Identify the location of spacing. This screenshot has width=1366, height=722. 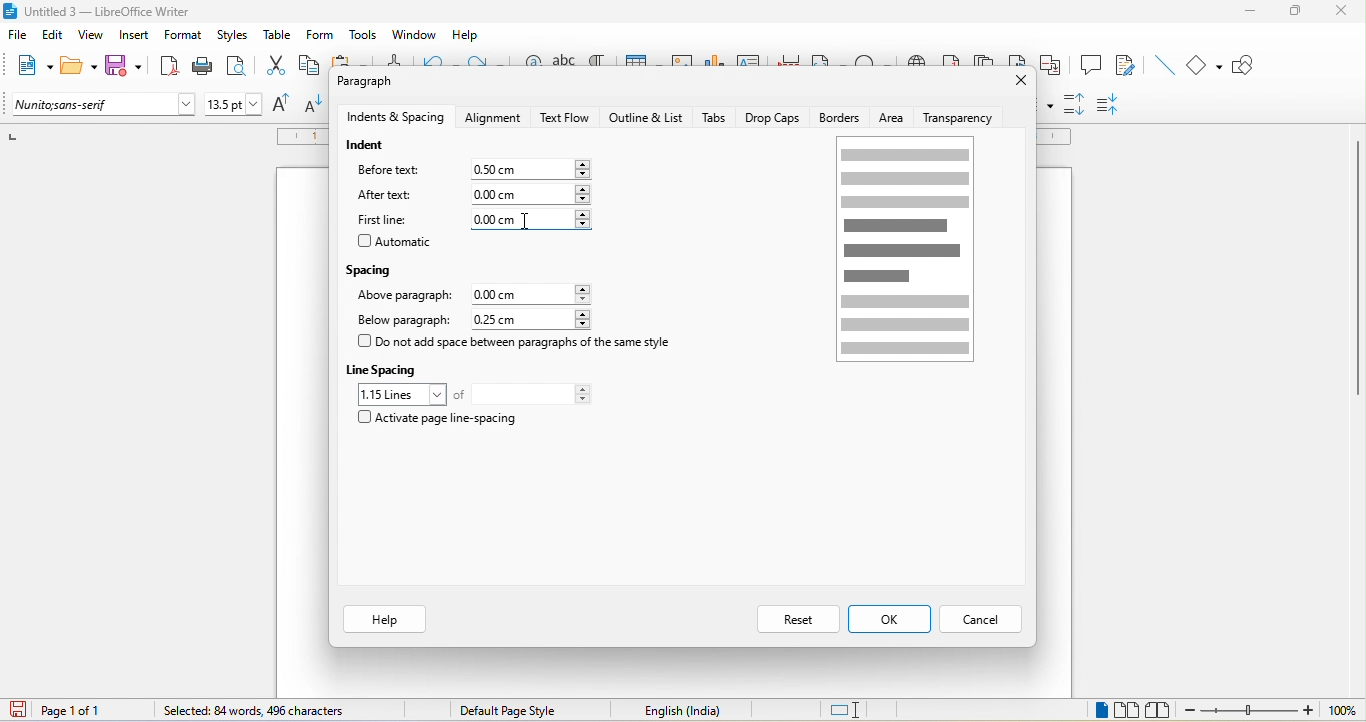
(377, 273).